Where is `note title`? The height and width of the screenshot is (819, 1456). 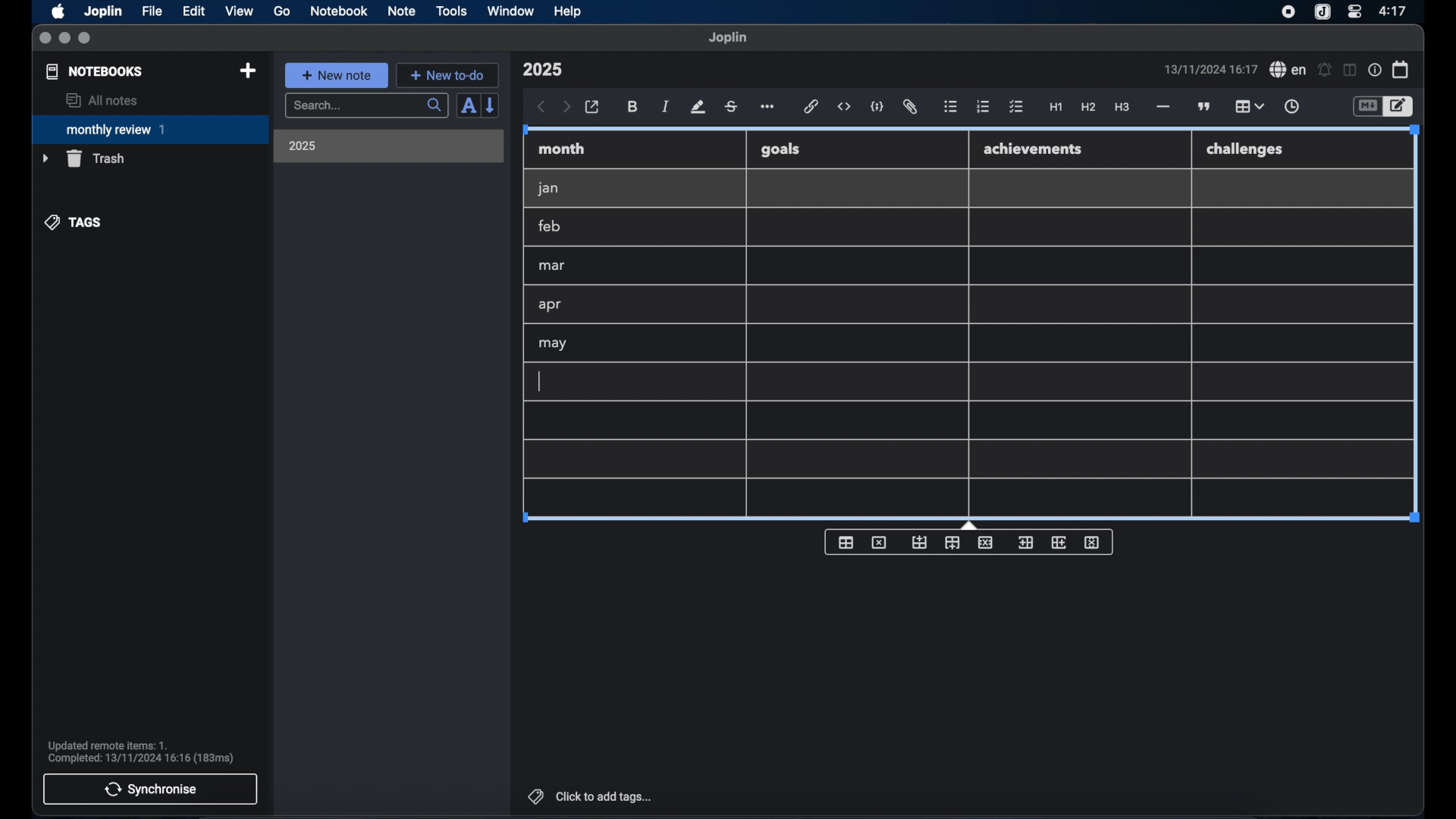
note title is located at coordinates (542, 70).